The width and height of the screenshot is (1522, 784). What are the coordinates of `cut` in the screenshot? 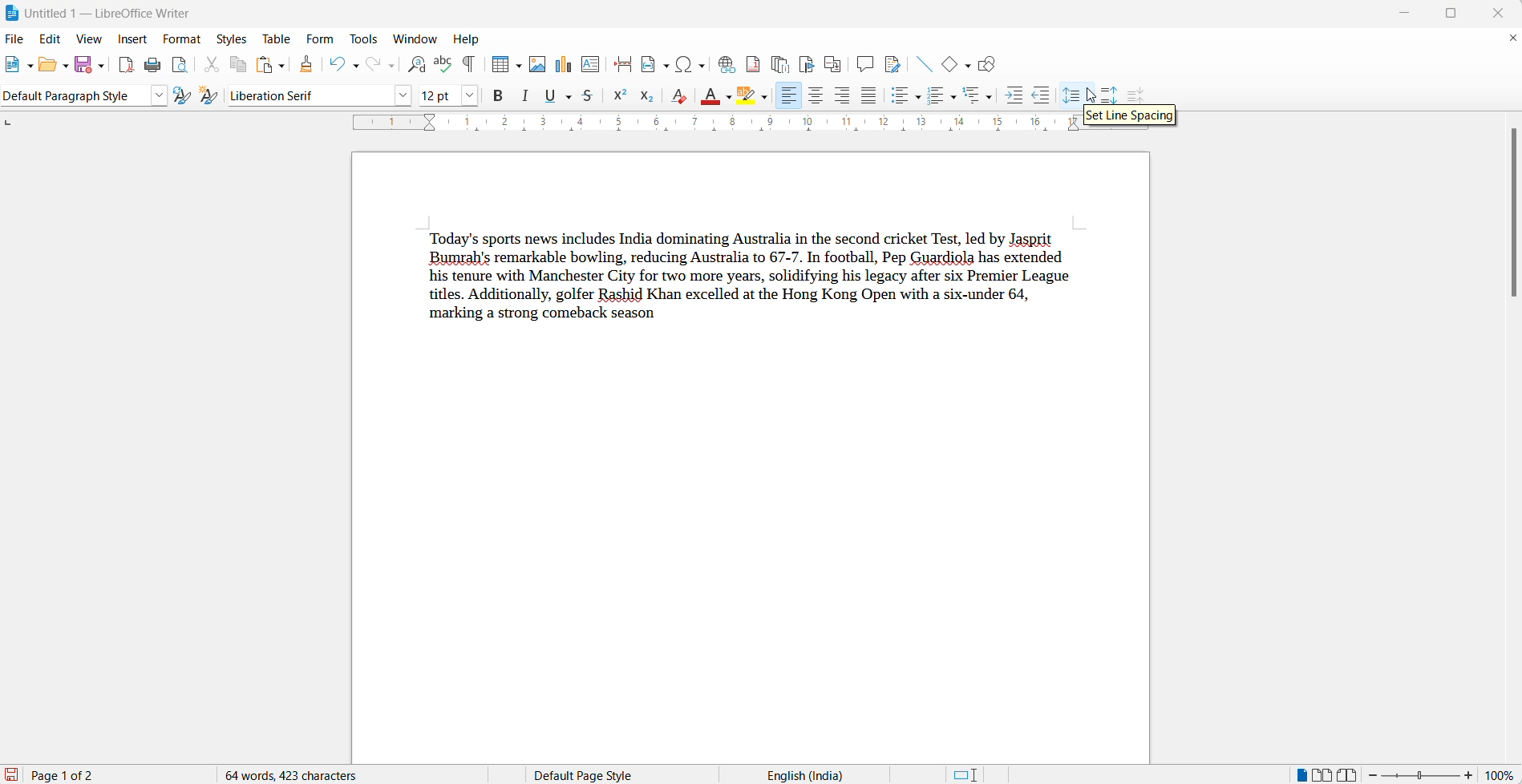 It's located at (213, 64).